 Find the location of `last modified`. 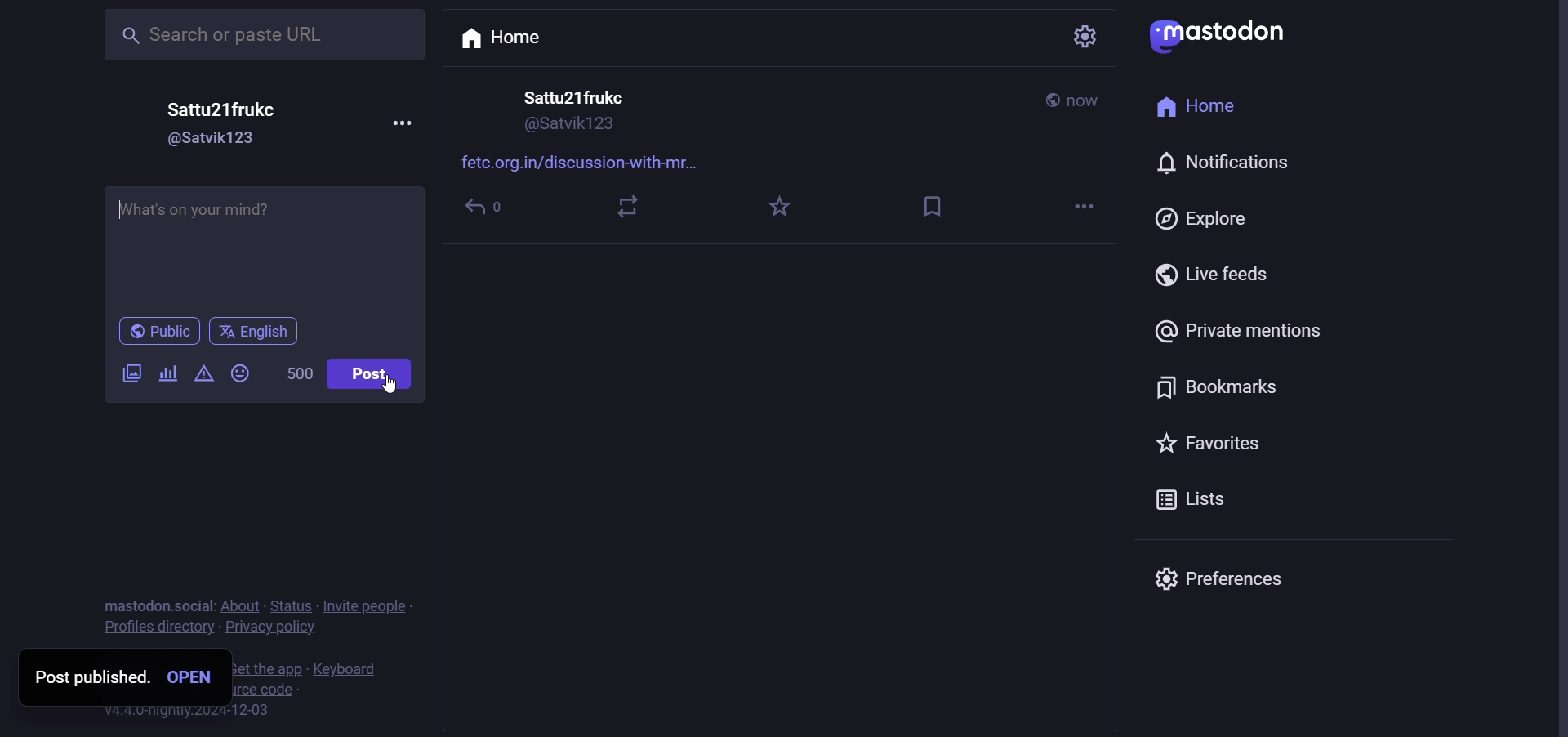

last modified is located at coordinates (1090, 103).